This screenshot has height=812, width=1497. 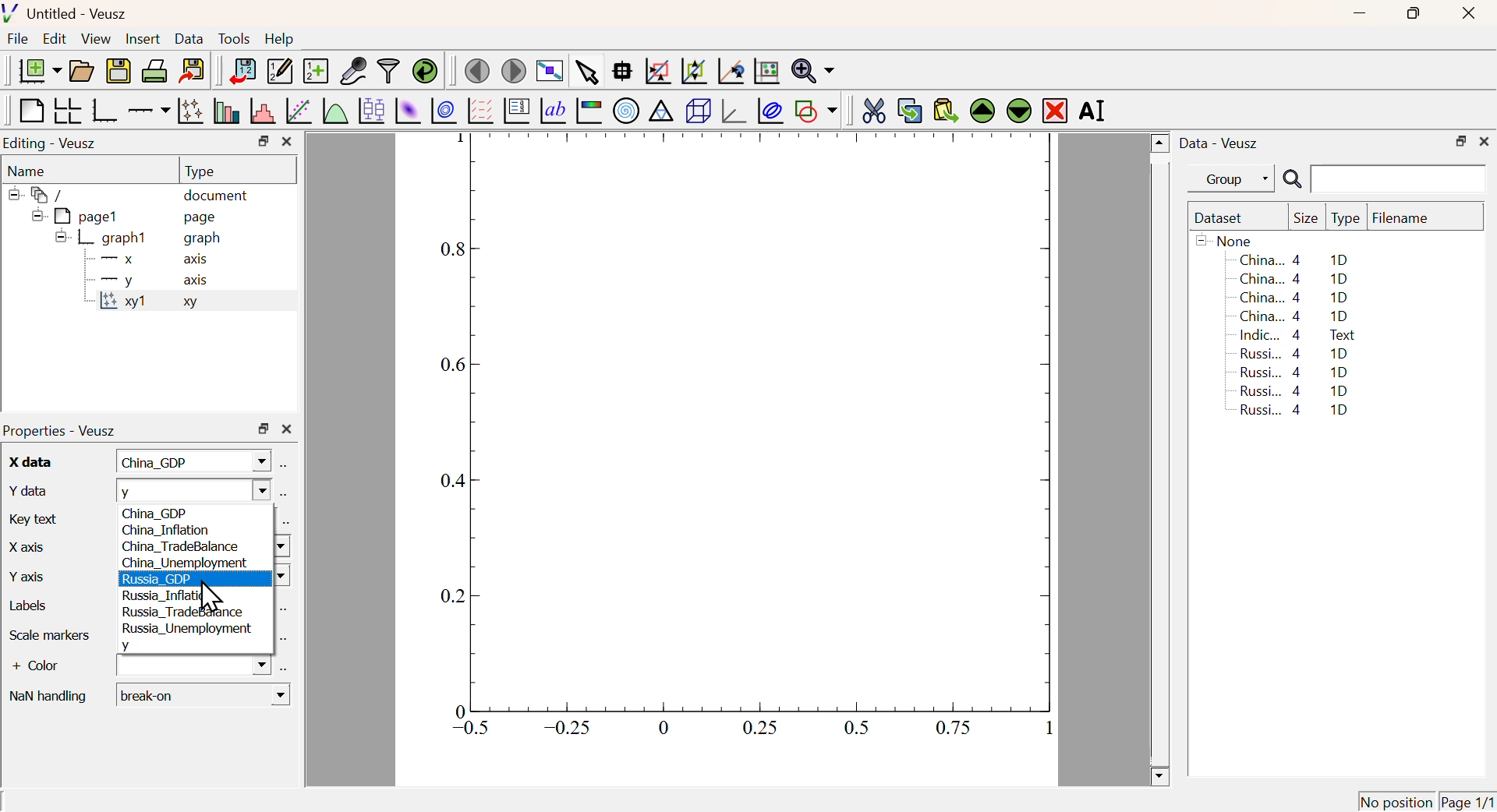 I want to click on Russia GDP, so click(x=161, y=580).